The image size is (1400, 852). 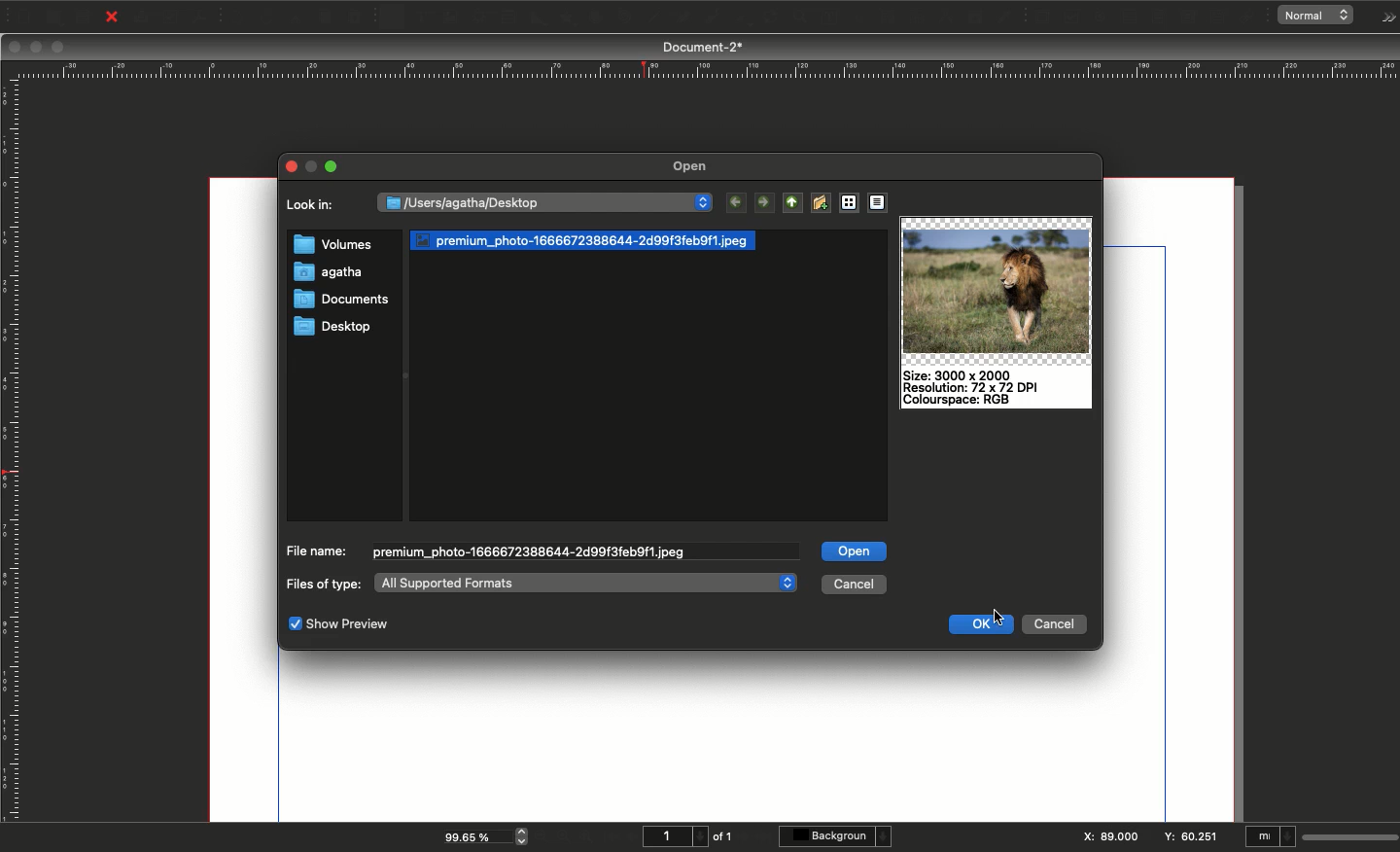 What do you see at coordinates (972, 18) in the screenshot?
I see `Copy item properties` at bounding box center [972, 18].